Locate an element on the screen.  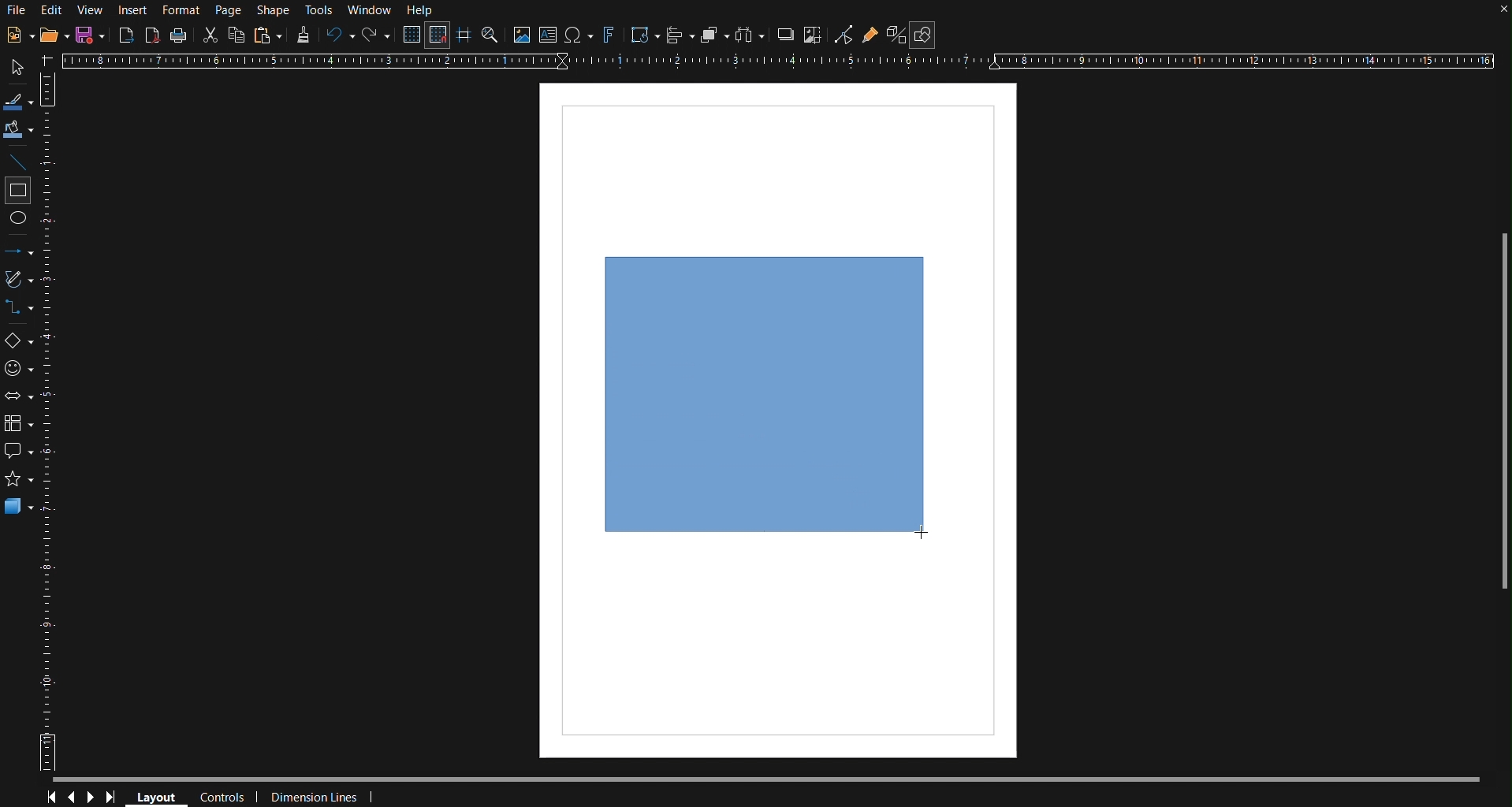
Ruler Vertical is located at coordinates (50, 420).